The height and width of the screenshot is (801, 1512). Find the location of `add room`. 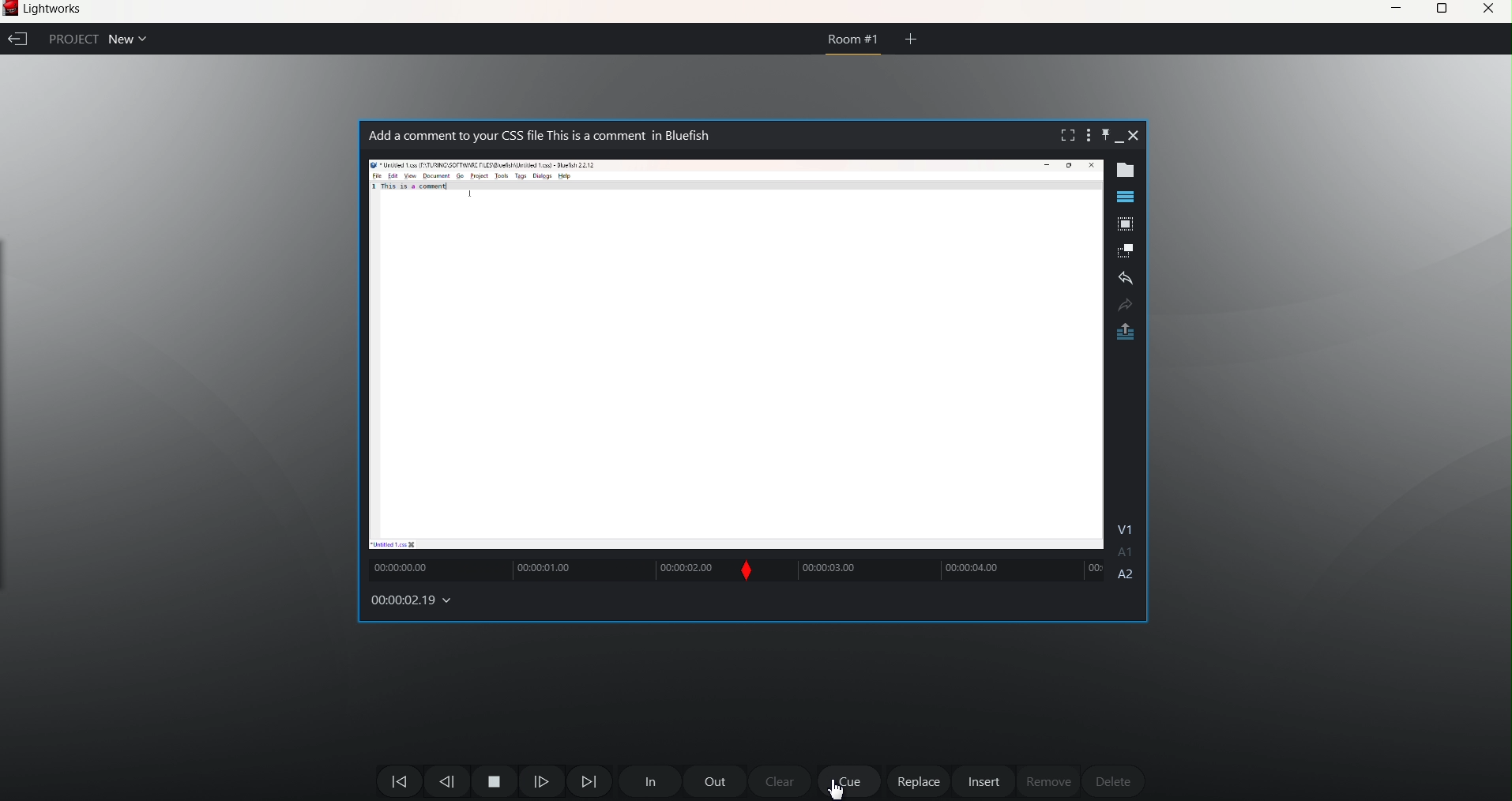

add room is located at coordinates (912, 38).